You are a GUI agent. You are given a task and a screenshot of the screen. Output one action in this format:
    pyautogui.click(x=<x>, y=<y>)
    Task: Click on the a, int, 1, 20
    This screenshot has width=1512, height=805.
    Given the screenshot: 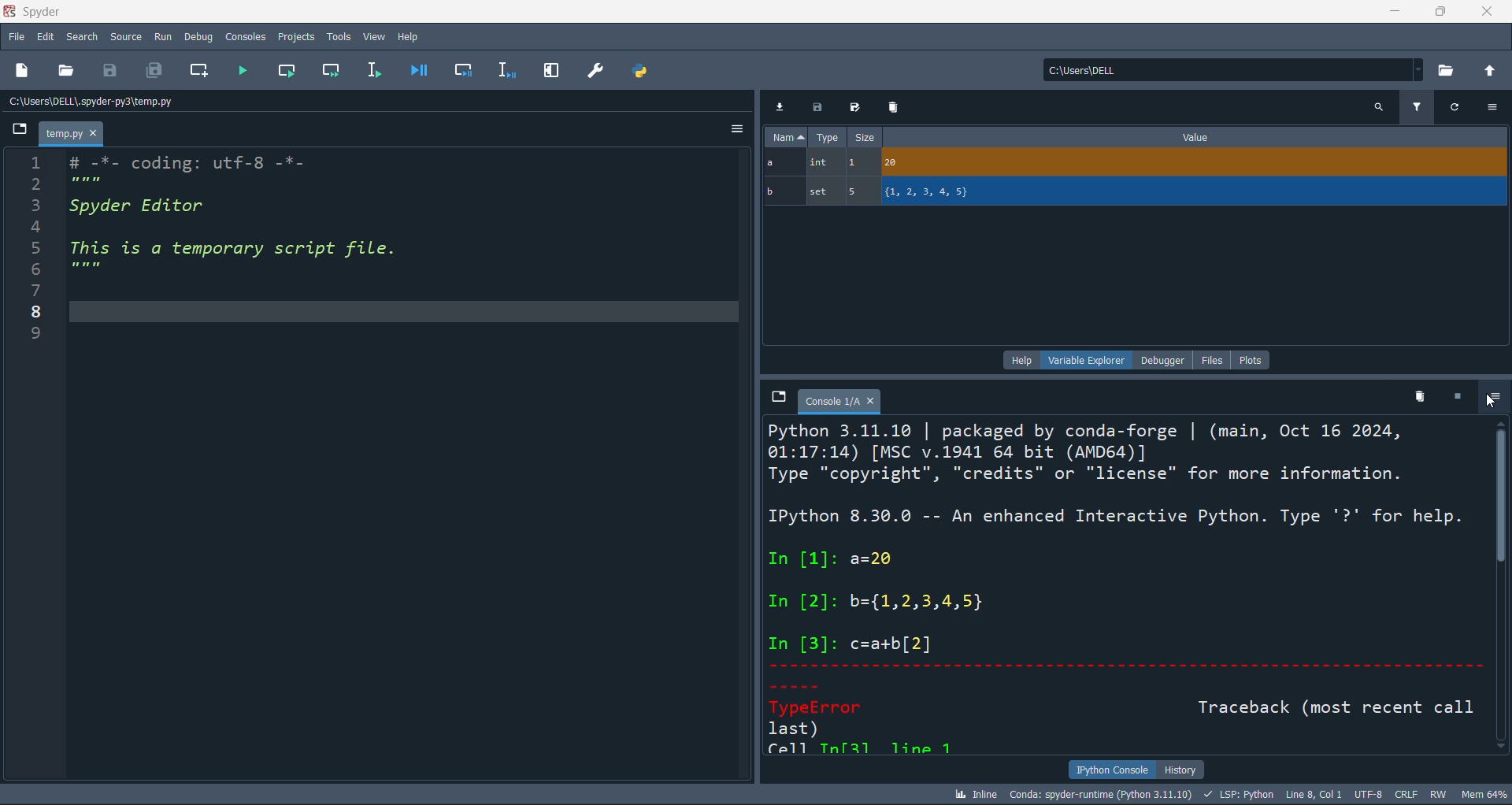 What is the action you would take?
    pyautogui.click(x=1132, y=164)
    